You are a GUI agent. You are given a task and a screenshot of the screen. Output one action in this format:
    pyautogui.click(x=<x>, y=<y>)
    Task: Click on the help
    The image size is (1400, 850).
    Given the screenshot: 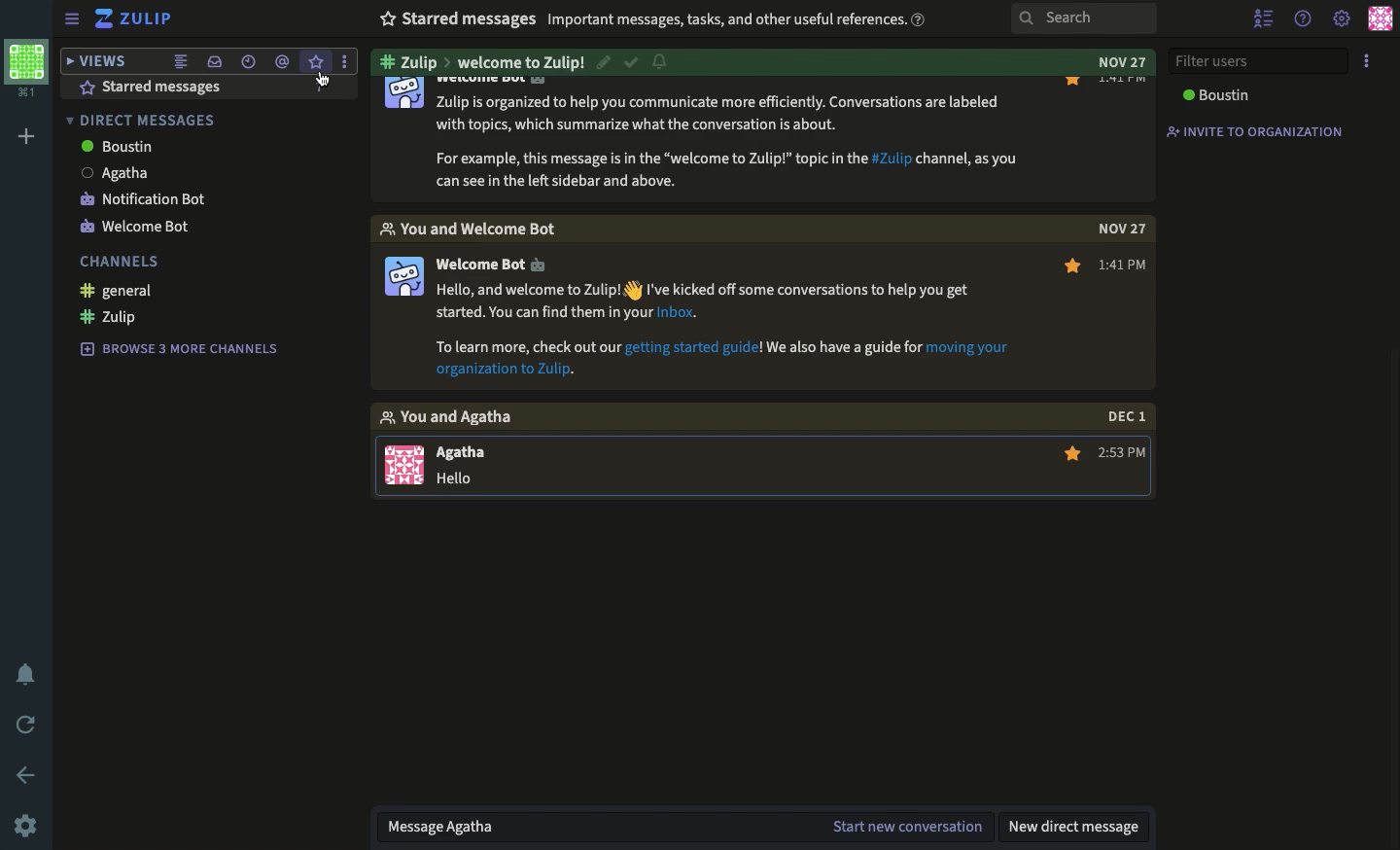 What is the action you would take?
    pyautogui.click(x=1303, y=19)
    